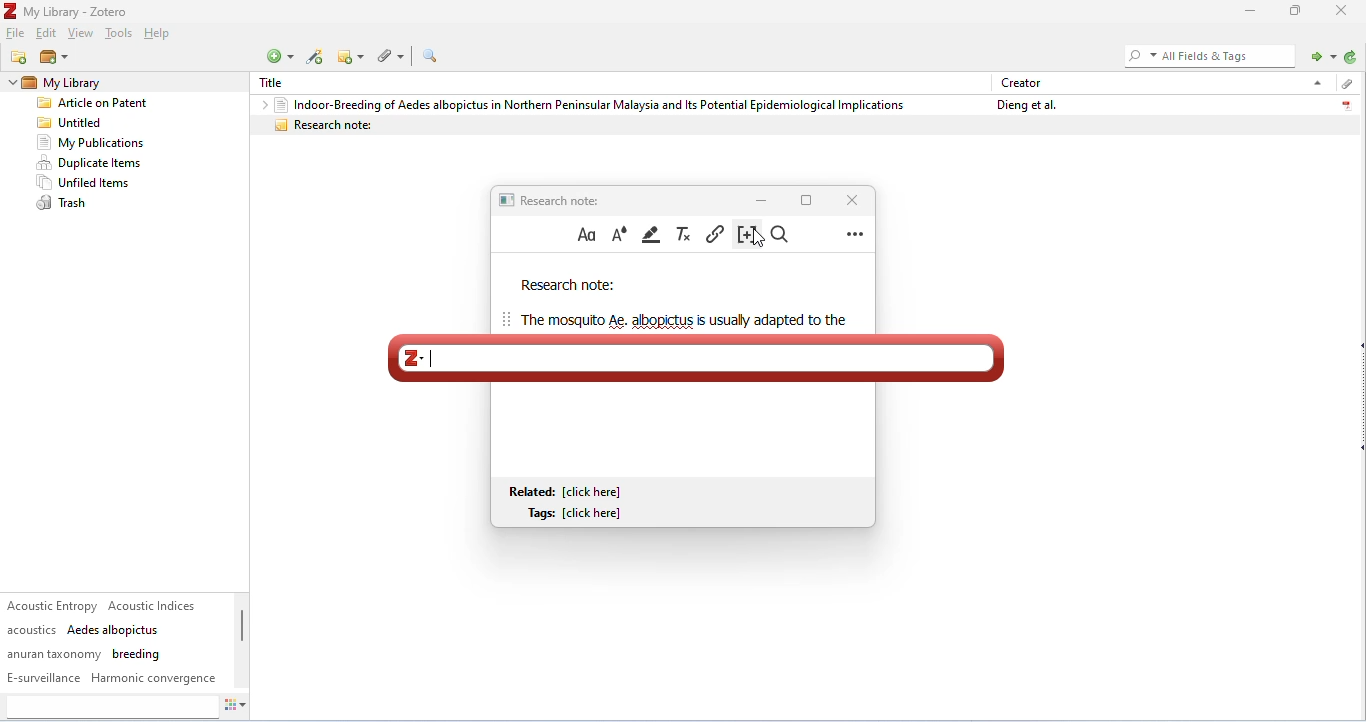  I want to click on dieng et al., so click(1024, 105).